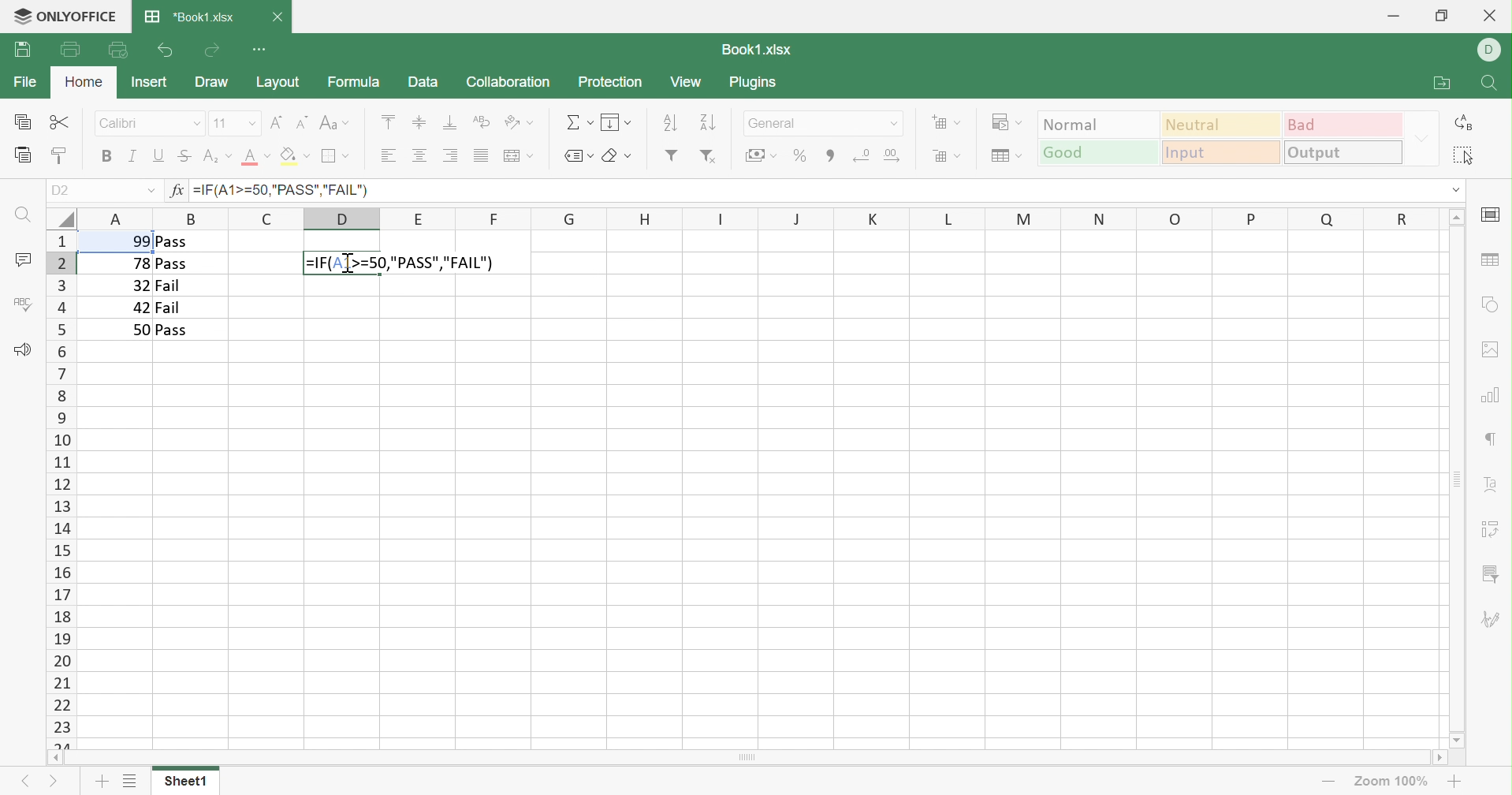 The height and width of the screenshot is (795, 1512). I want to click on Normal, so click(1098, 123).